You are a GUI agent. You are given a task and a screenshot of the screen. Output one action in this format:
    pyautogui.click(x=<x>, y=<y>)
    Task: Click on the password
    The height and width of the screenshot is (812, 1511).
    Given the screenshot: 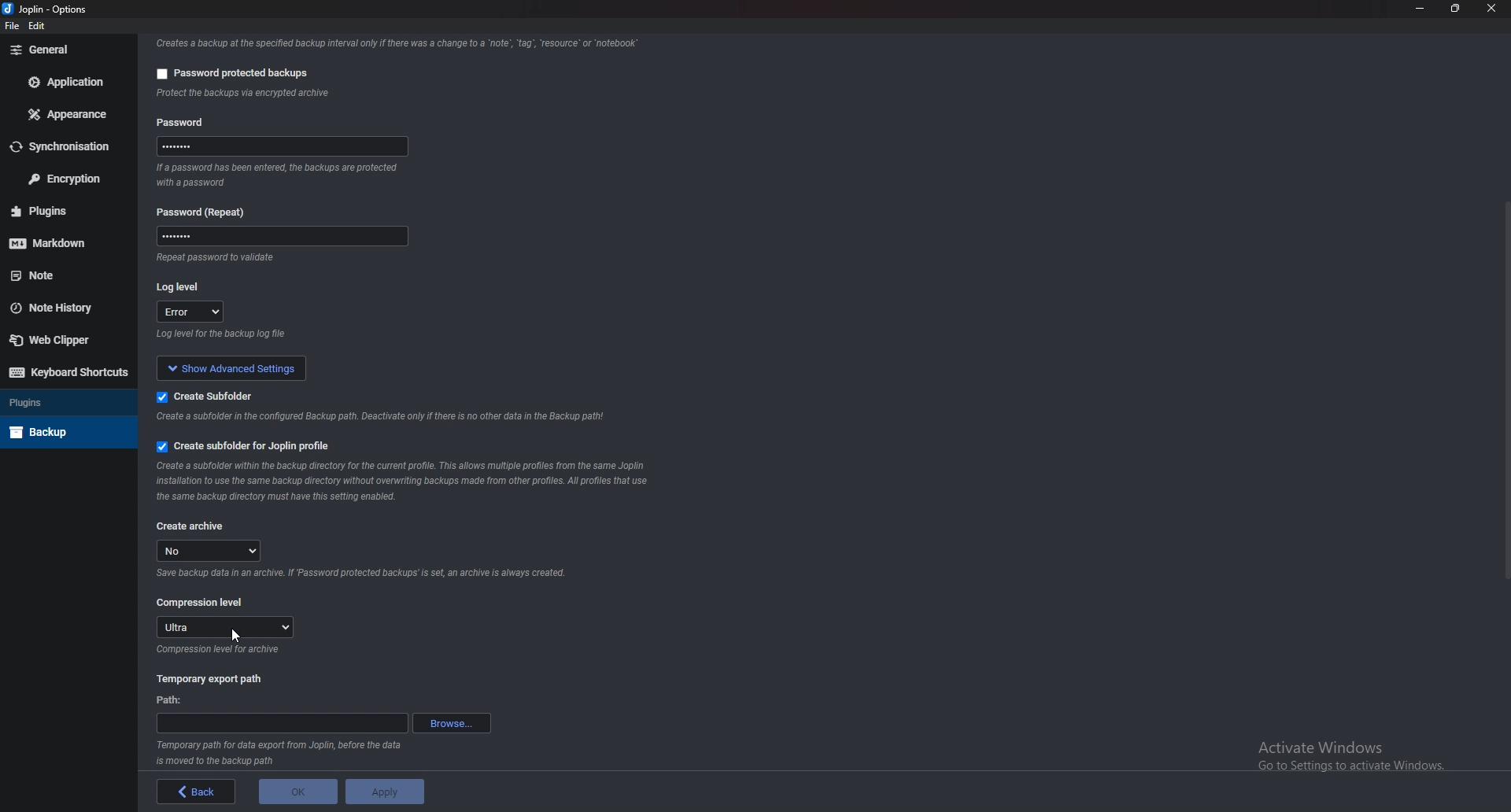 What is the action you would take?
    pyautogui.click(x=286, y=146)
    